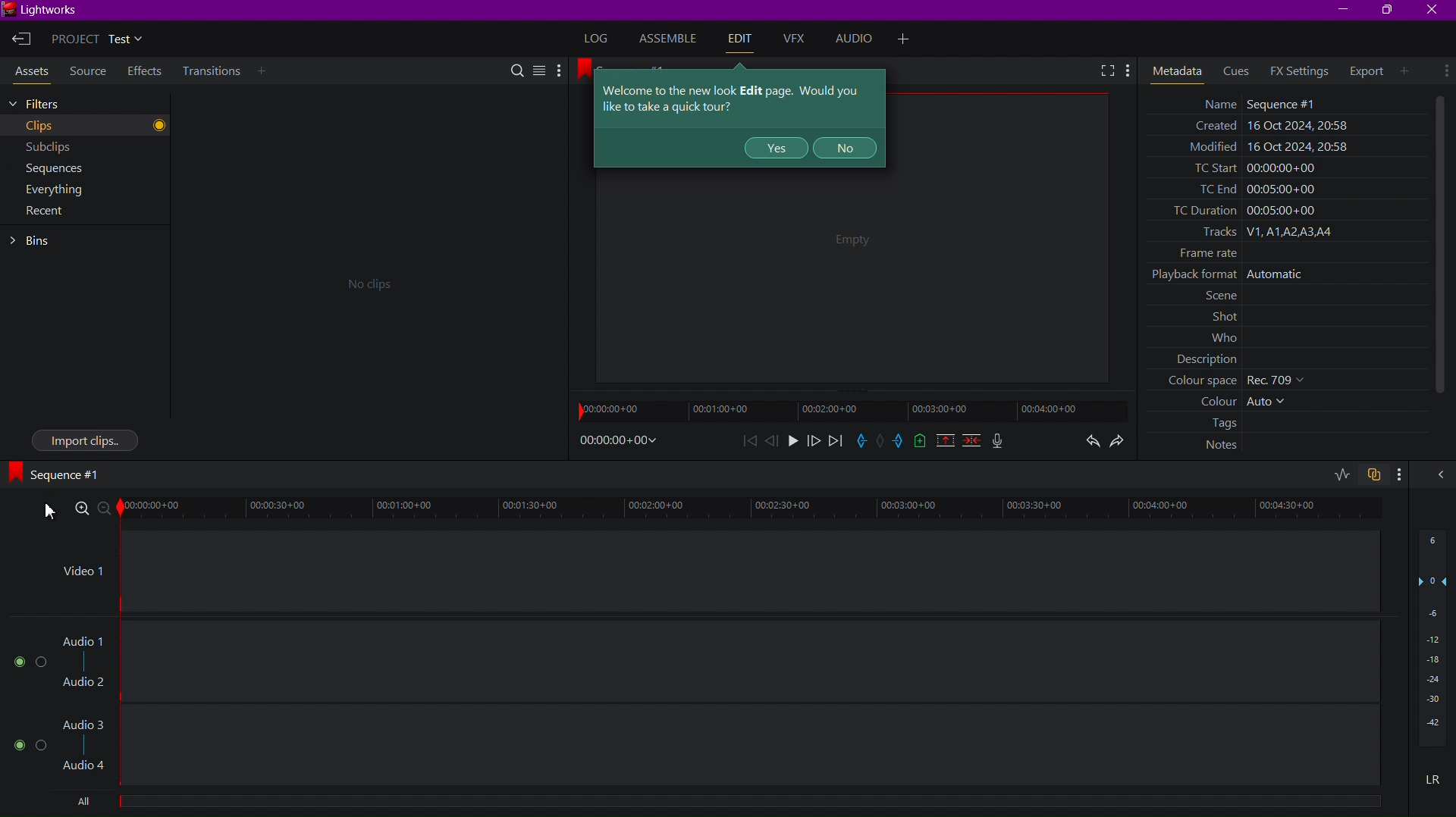 This screenshot has height=817, width=1456. What do you see at coordinates (873, 443) in the screenshot?
I see `Control` at bounding box center [873, 443].